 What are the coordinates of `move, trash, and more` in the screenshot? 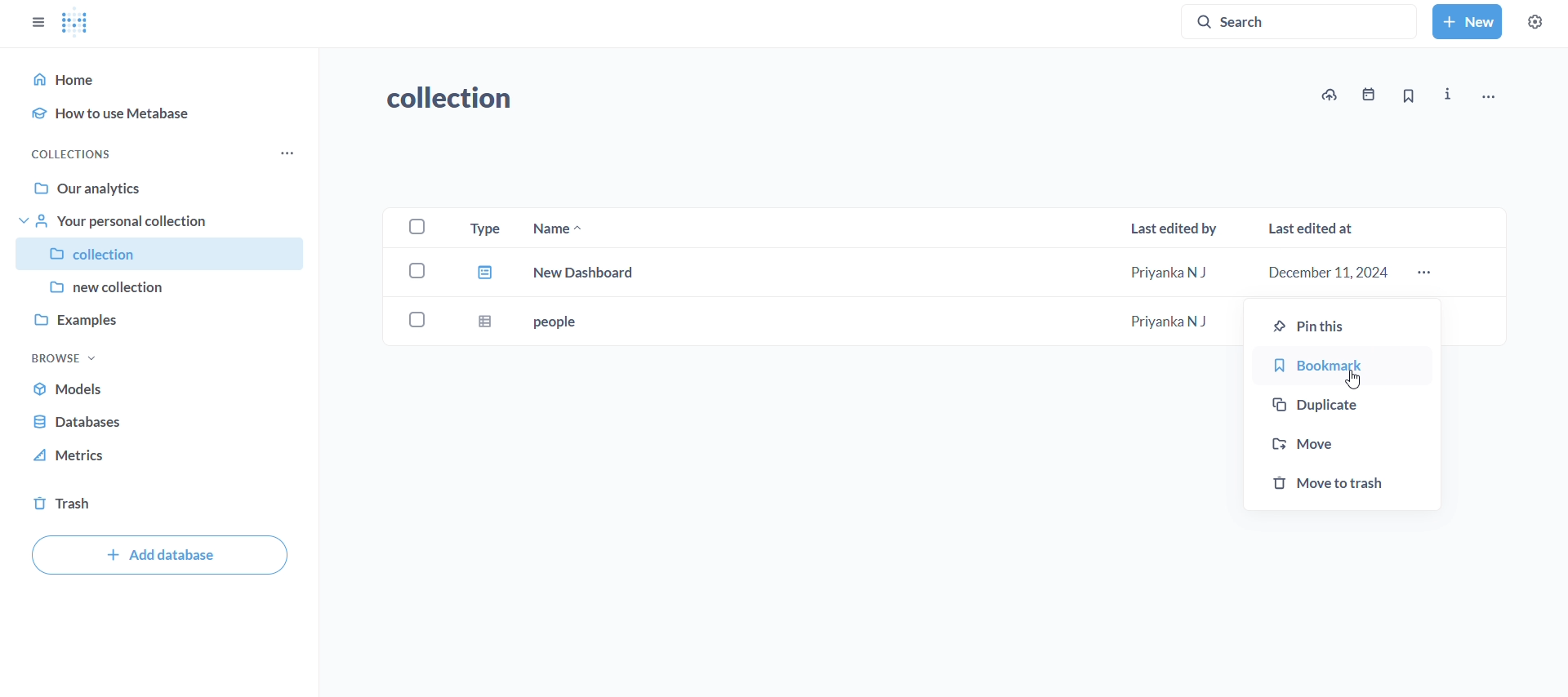 It's located at (1488, 95).